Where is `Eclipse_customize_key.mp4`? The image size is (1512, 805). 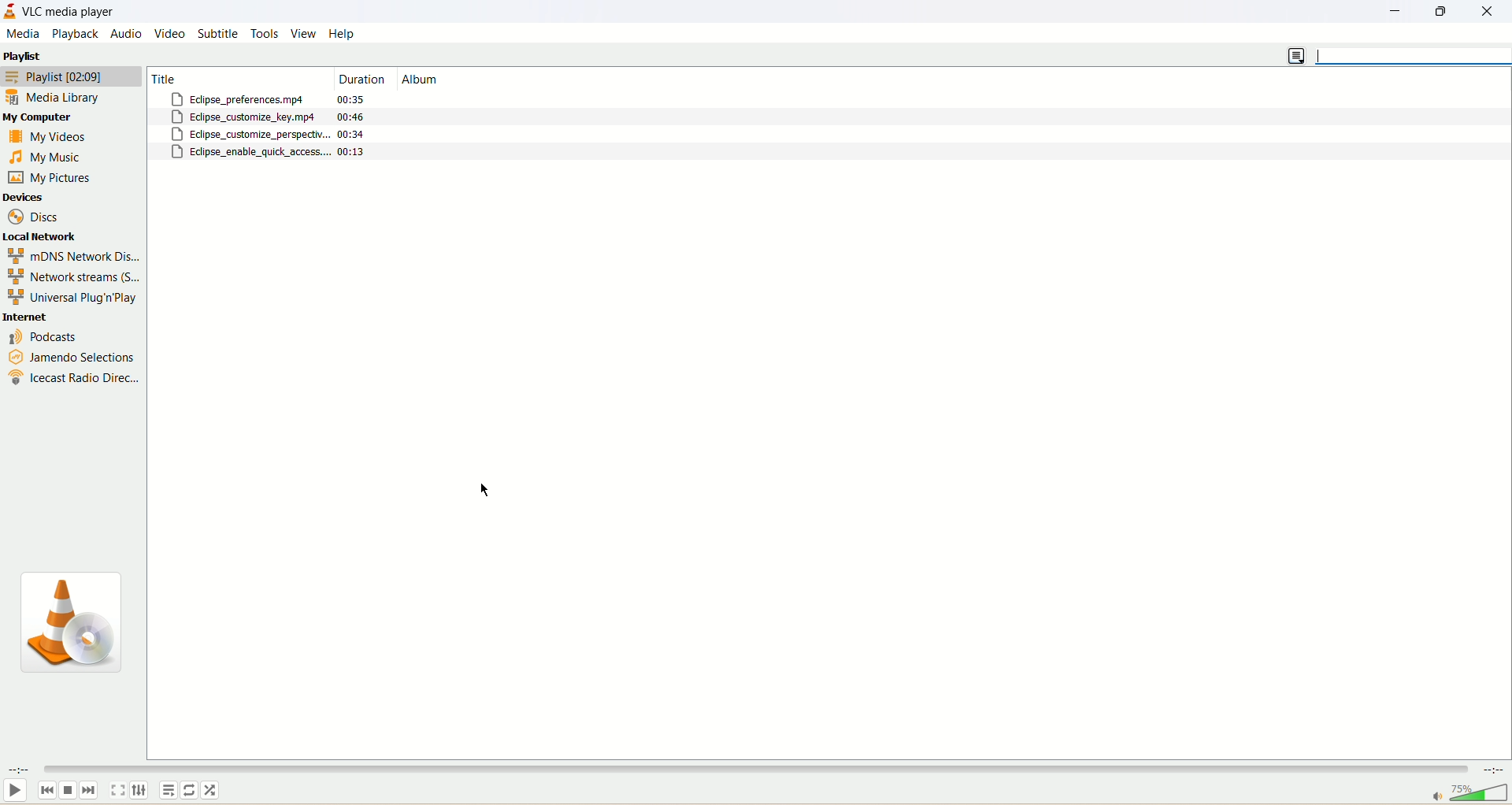
Eclipse_customize_key.mp4 is located at coordinates (245, 117).